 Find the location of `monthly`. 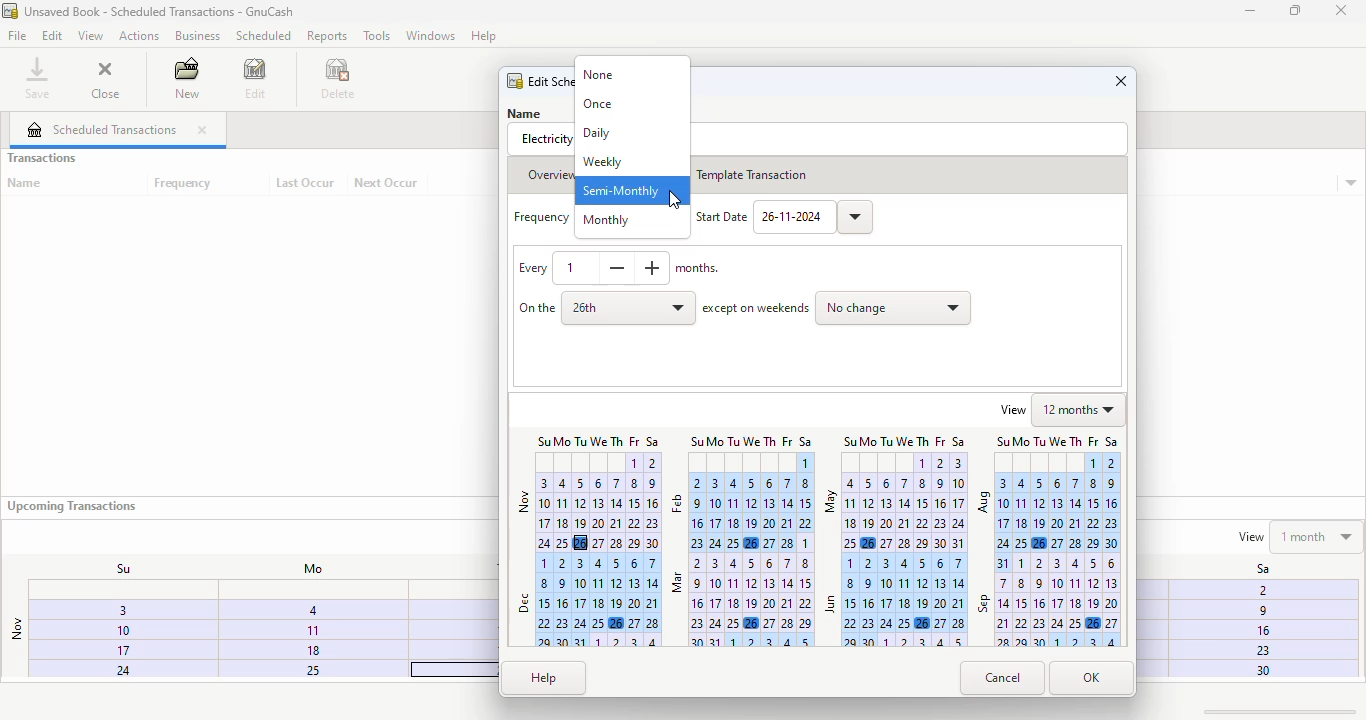

monthly is located at coordinates (605, 221).